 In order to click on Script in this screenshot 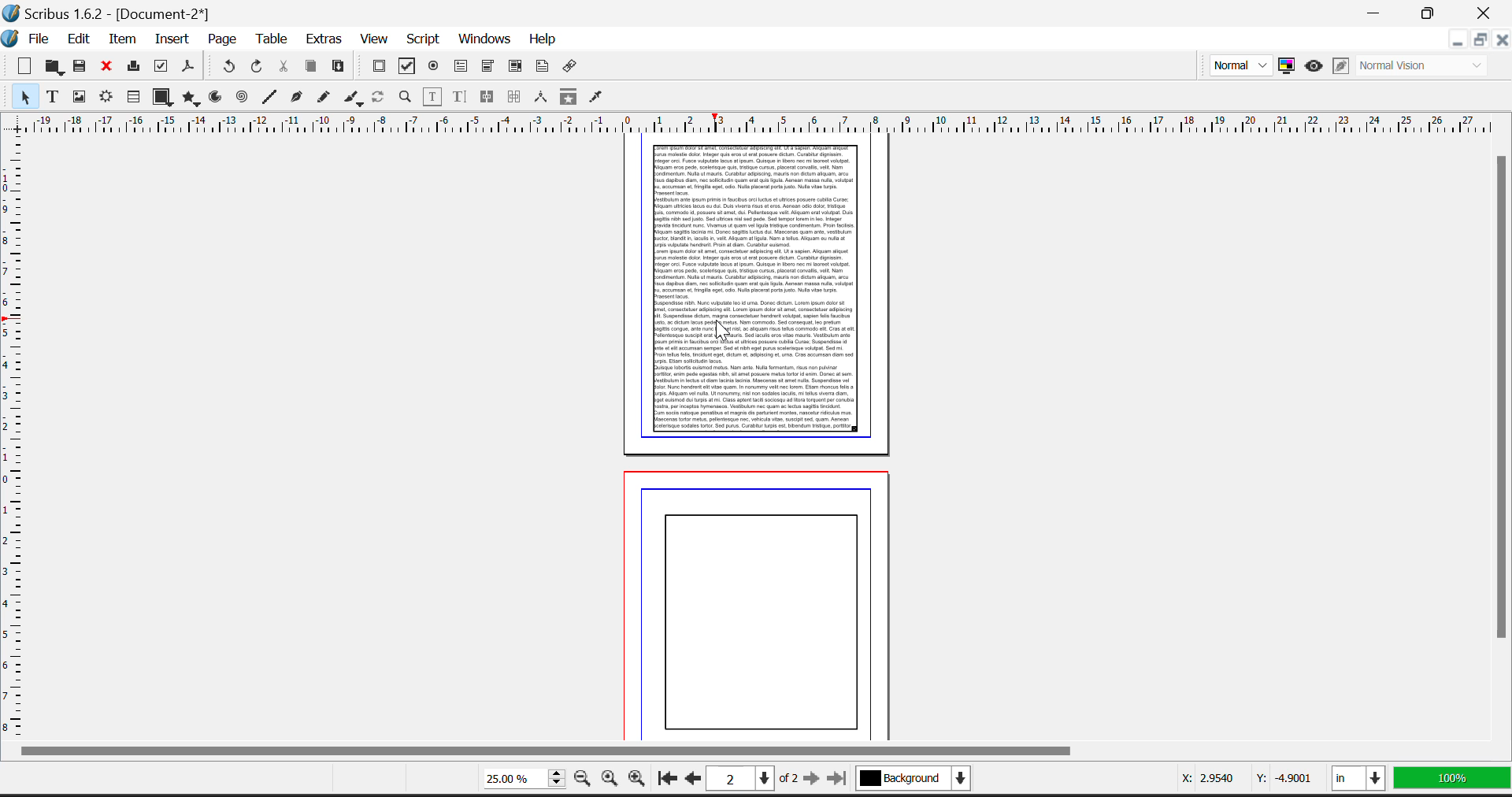, I will do `click(424, 40)`.